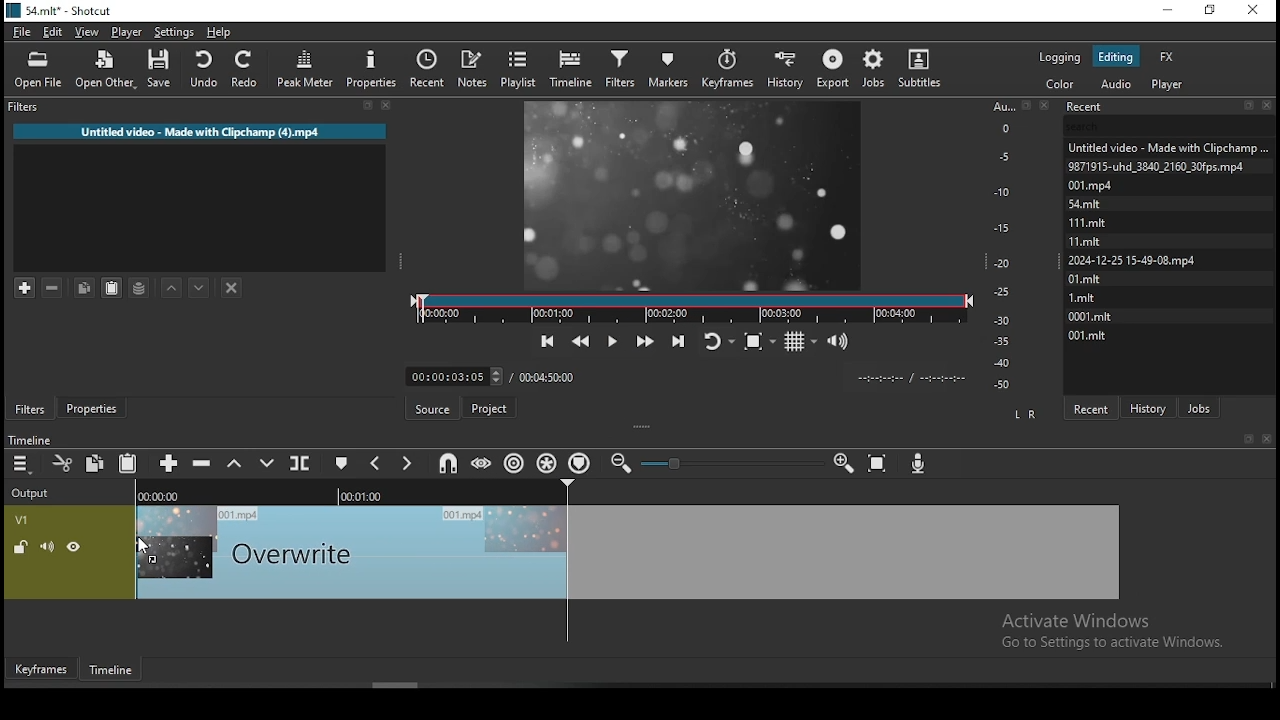  I want to click on jobs, so click(1201, 408).